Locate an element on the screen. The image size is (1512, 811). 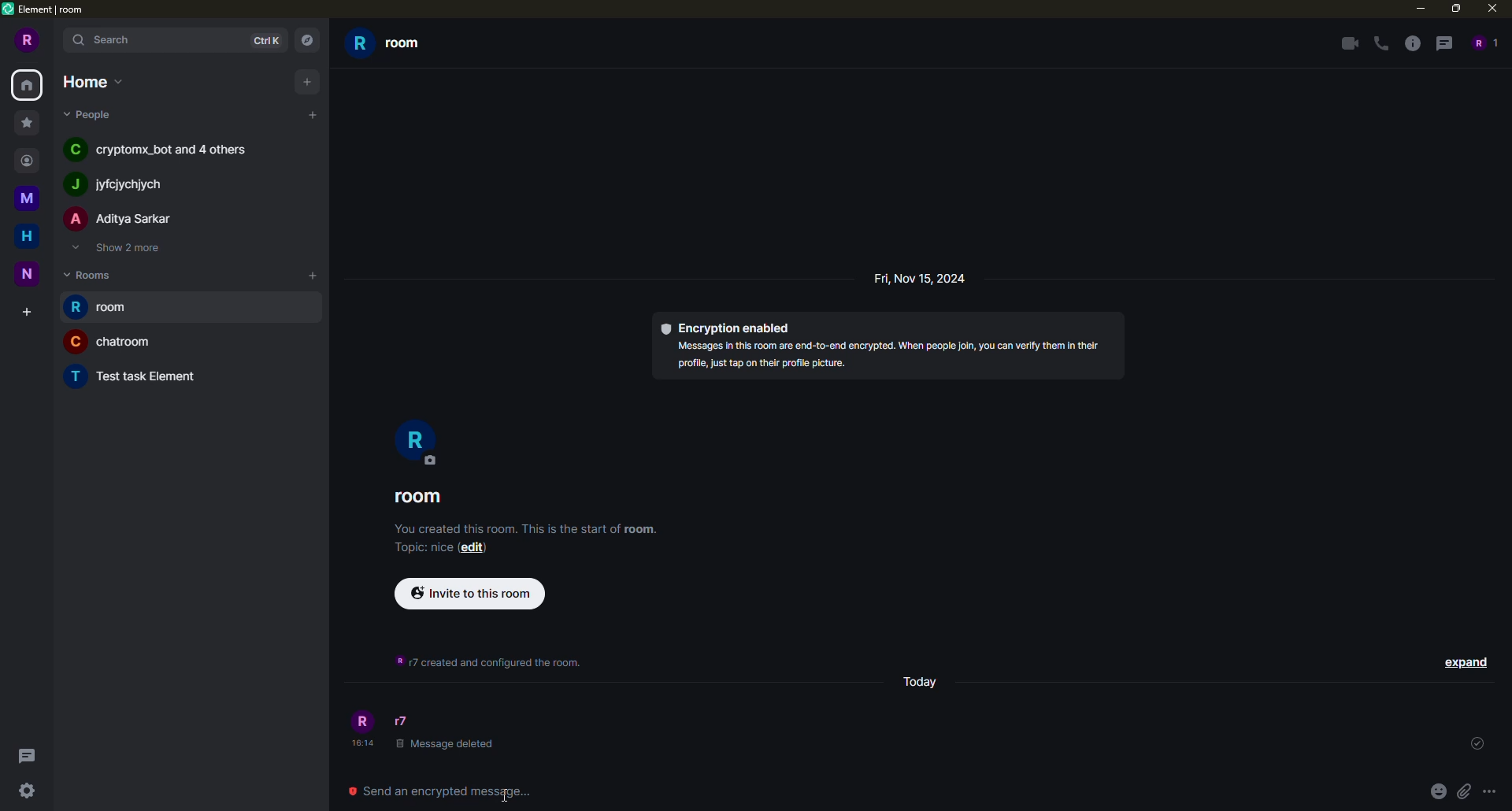
add is located at coordinates (313, 115).